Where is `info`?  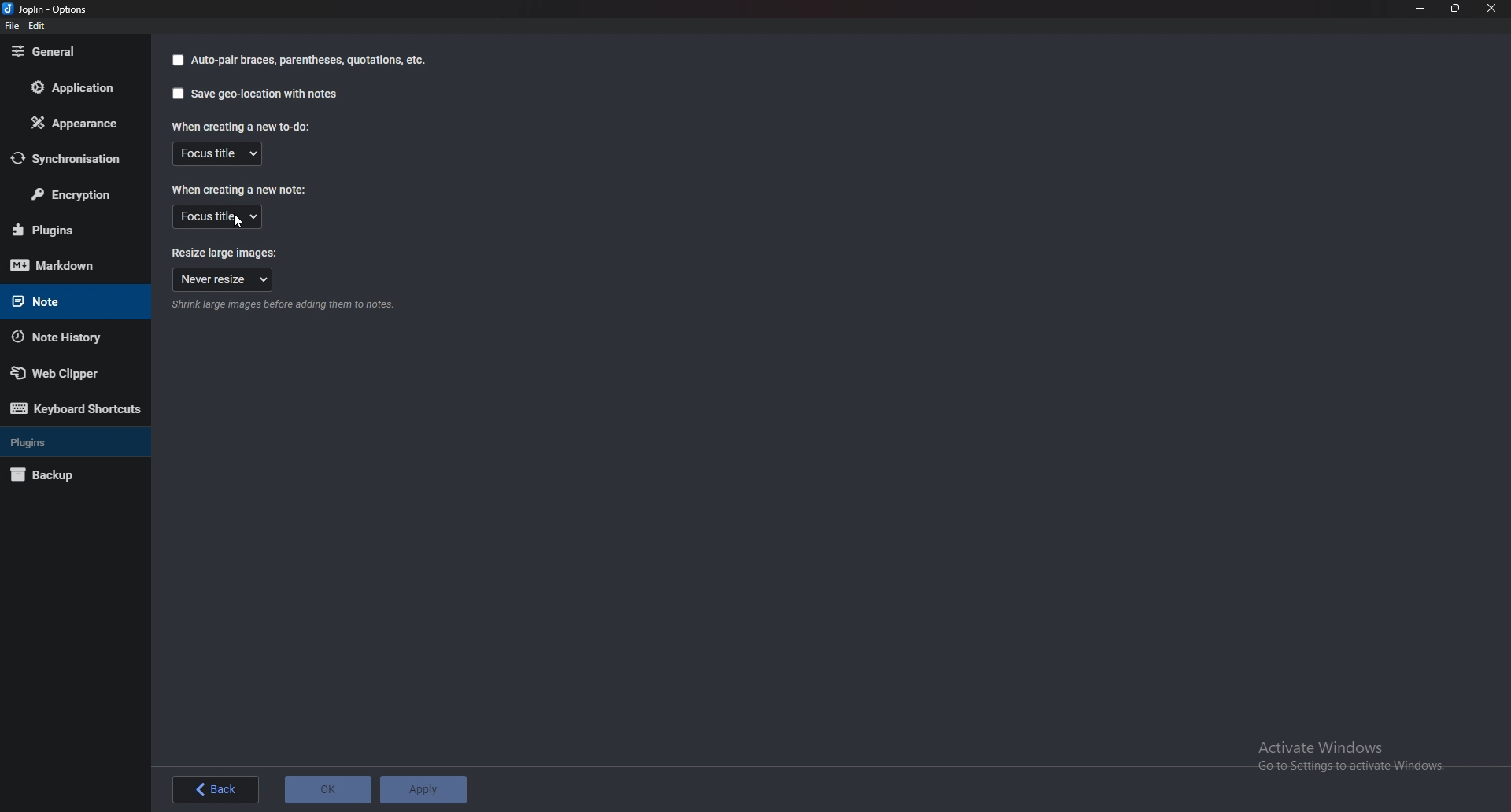
info is located at coordinates (280, 307).